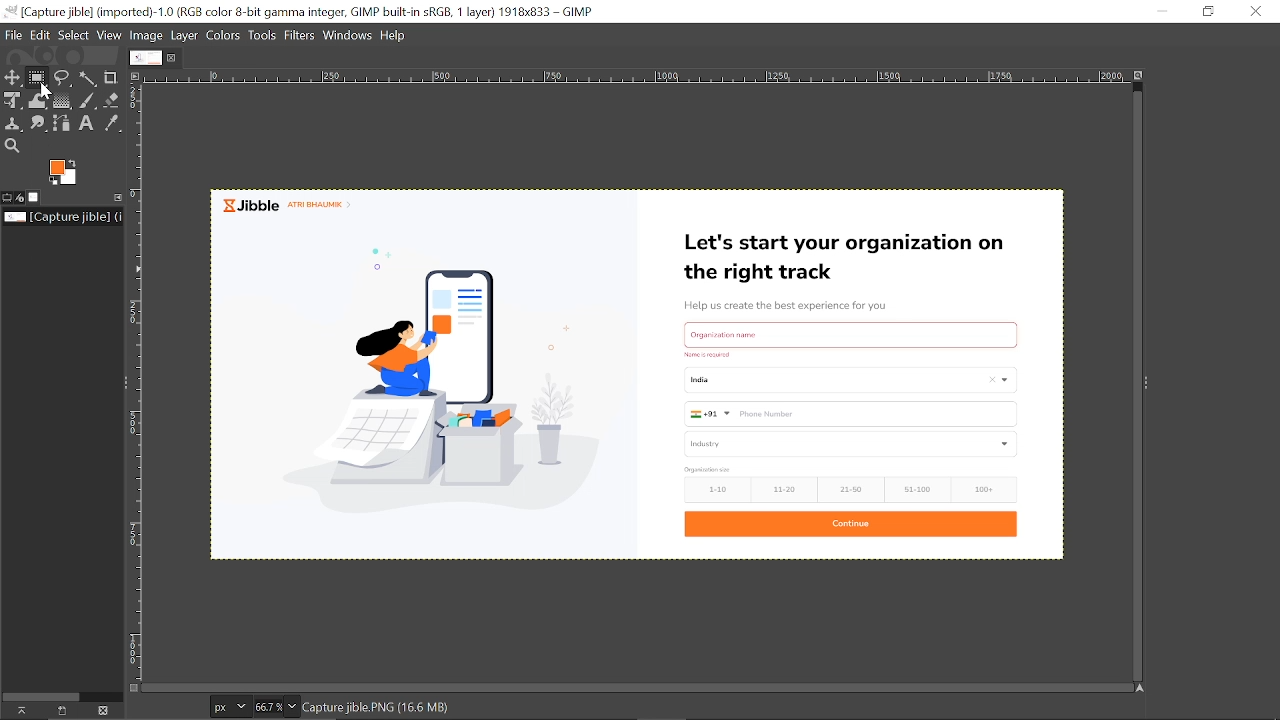  Describe the element at coordinates (305, 13) in the screenshot. I see `Current window` at that location.